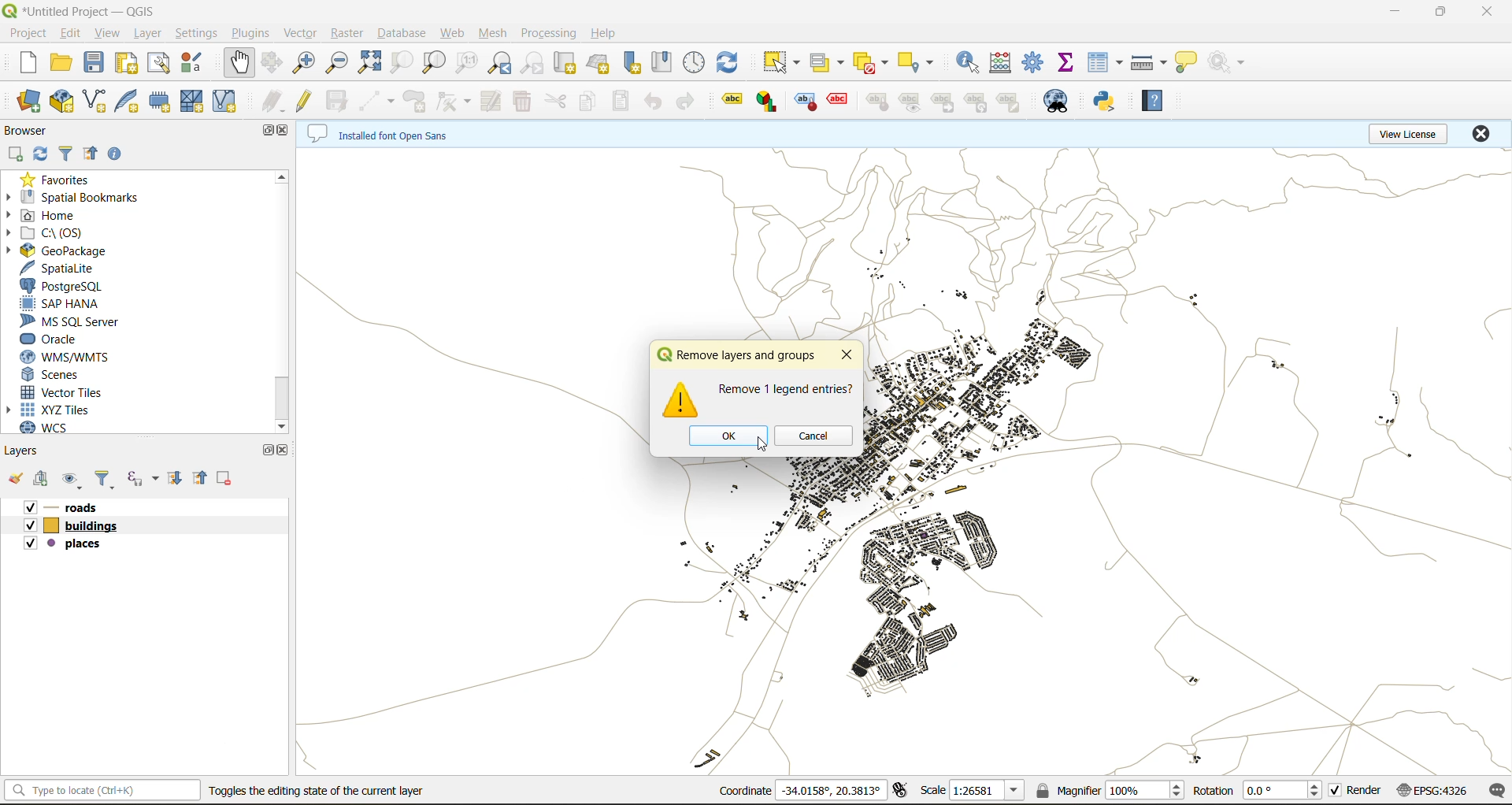  I want to click on show spatial bookmark, so click(662, 60).